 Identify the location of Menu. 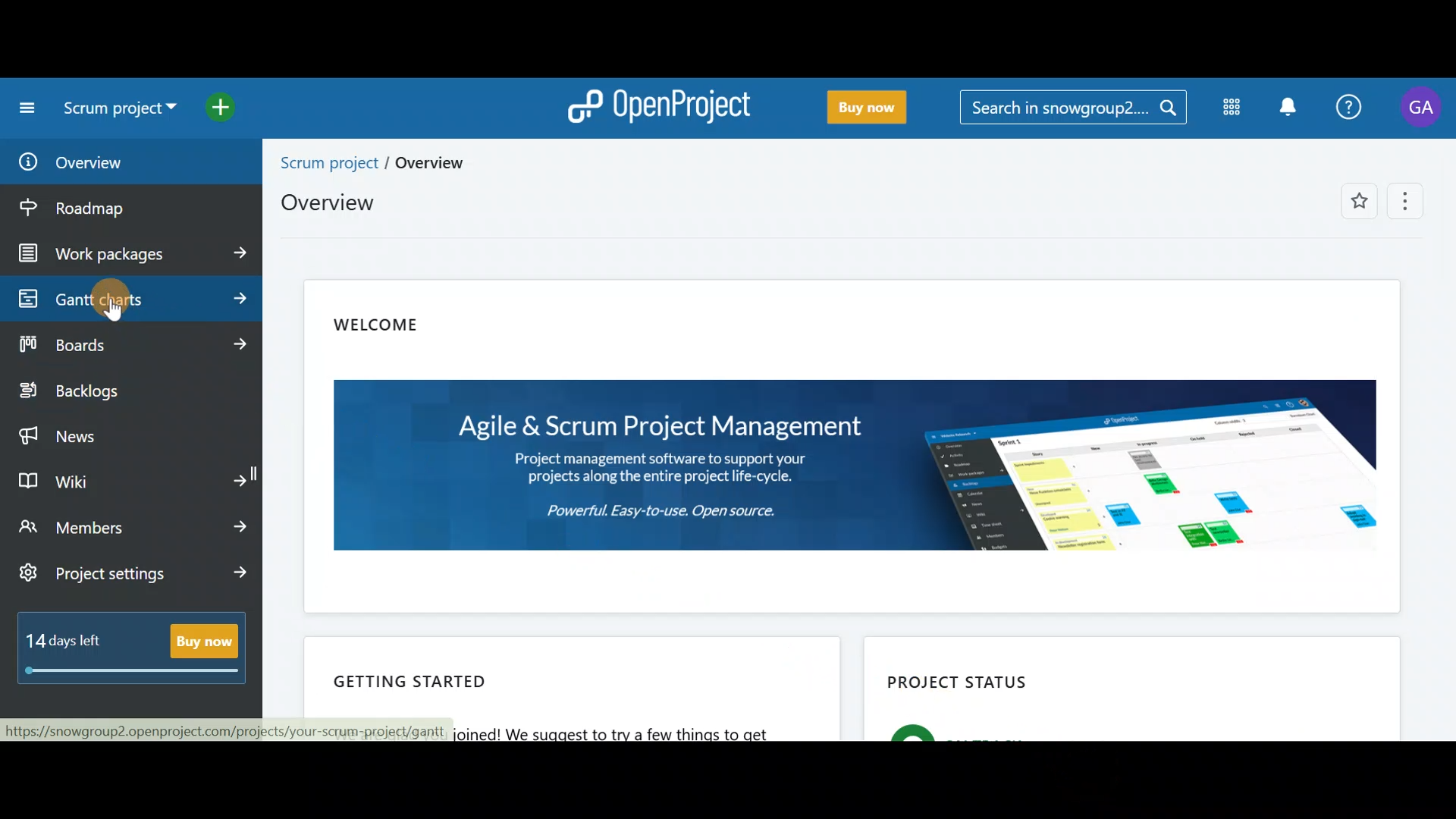
(1410, 200).